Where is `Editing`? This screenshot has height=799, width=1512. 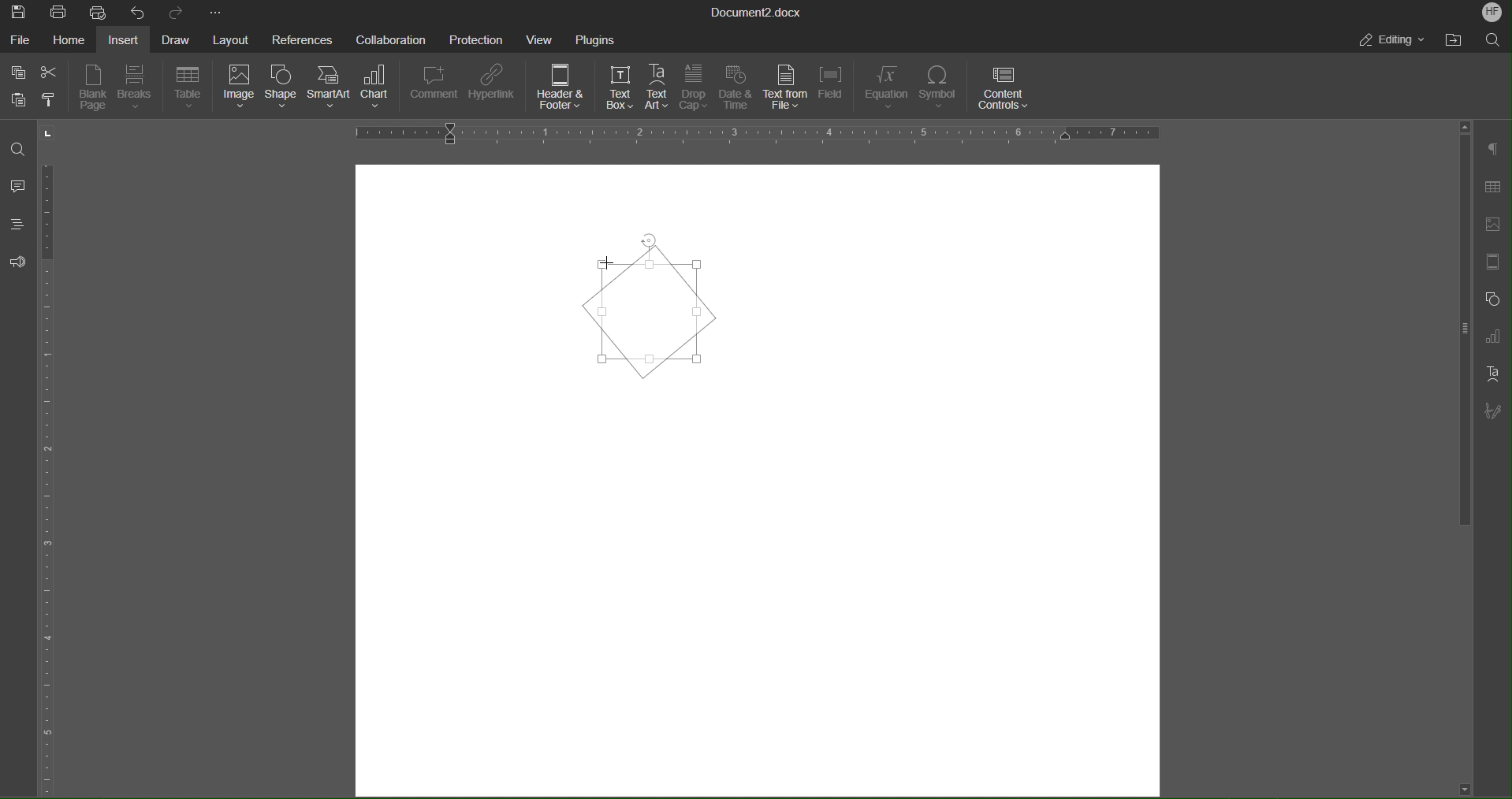
Editing is located at coordinates (1395, 42).